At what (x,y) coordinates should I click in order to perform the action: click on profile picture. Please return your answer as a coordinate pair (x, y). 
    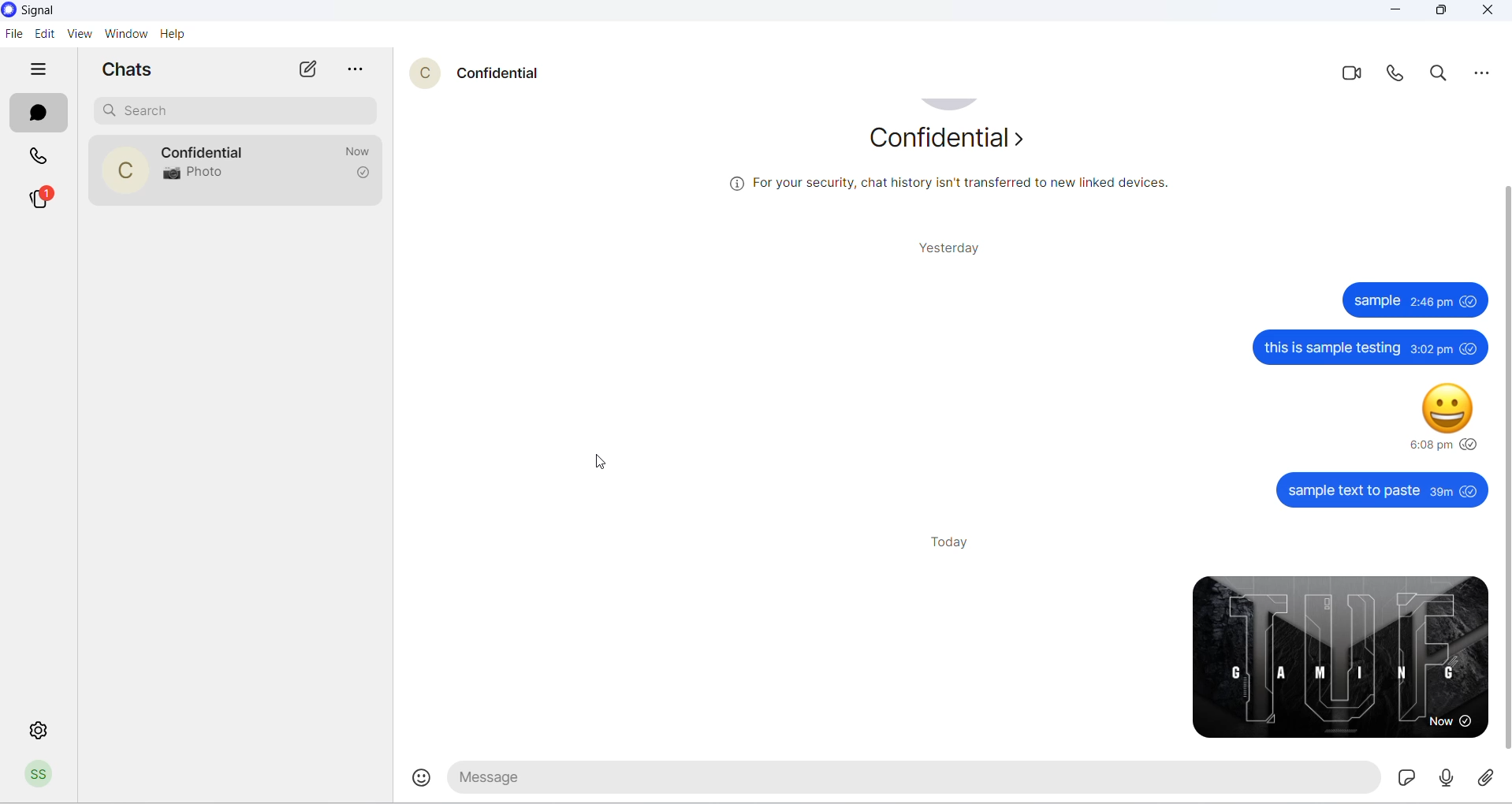
    Looking at the image, I should click on (117, 171).